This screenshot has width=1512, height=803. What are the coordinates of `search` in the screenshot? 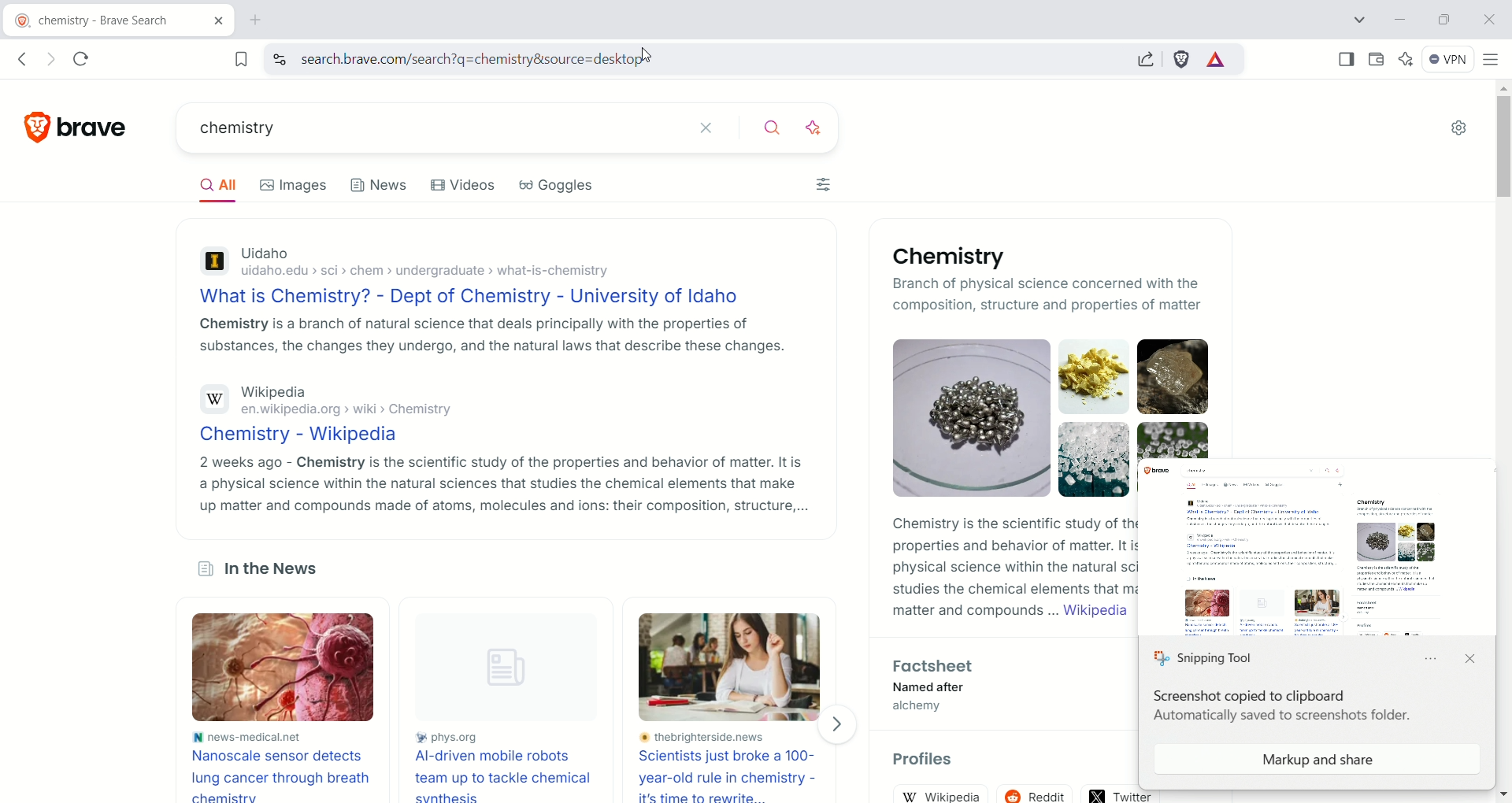 It's located at (774, 125).